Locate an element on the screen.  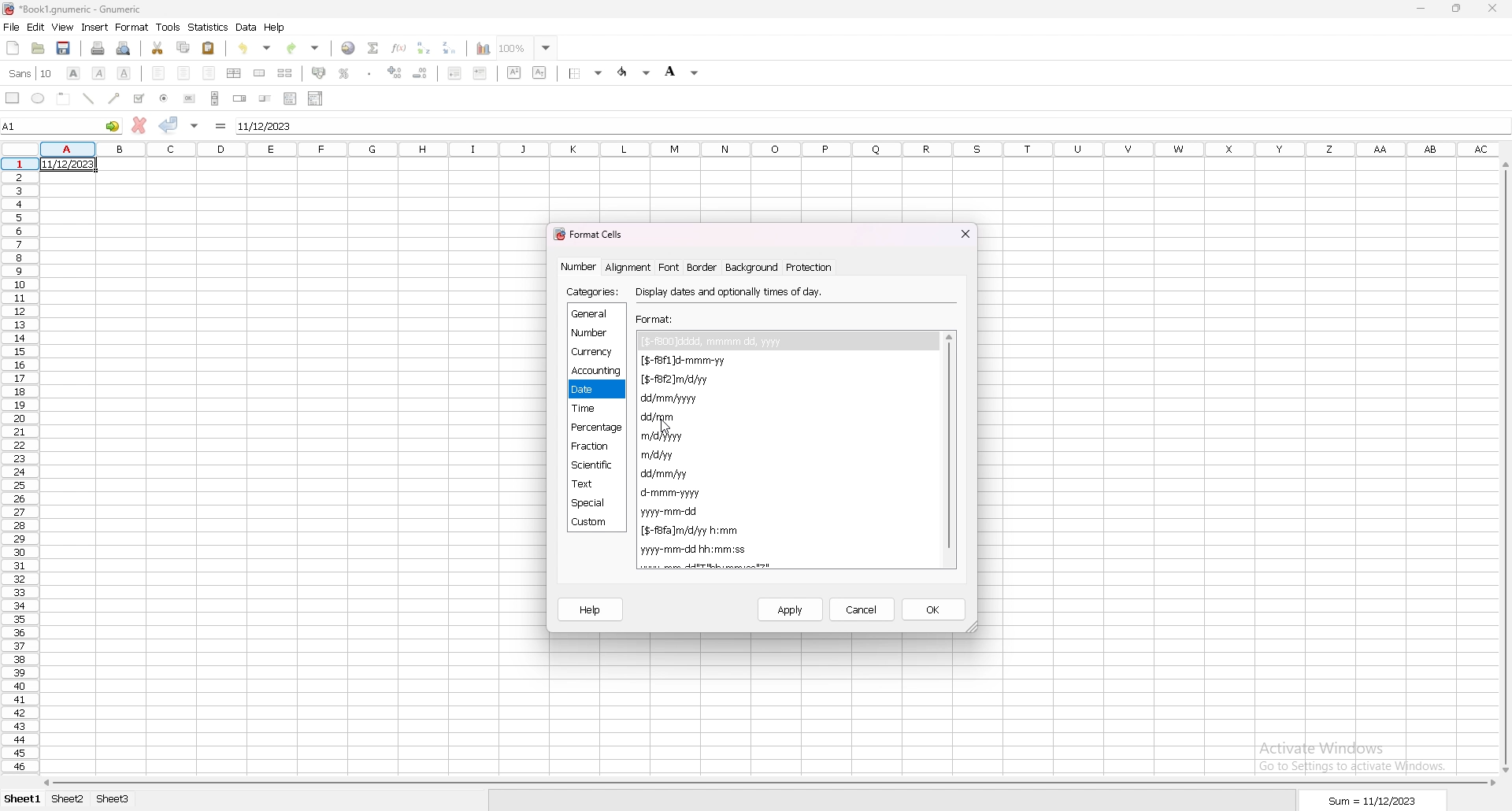
italic is located at coordinates (98, 73).